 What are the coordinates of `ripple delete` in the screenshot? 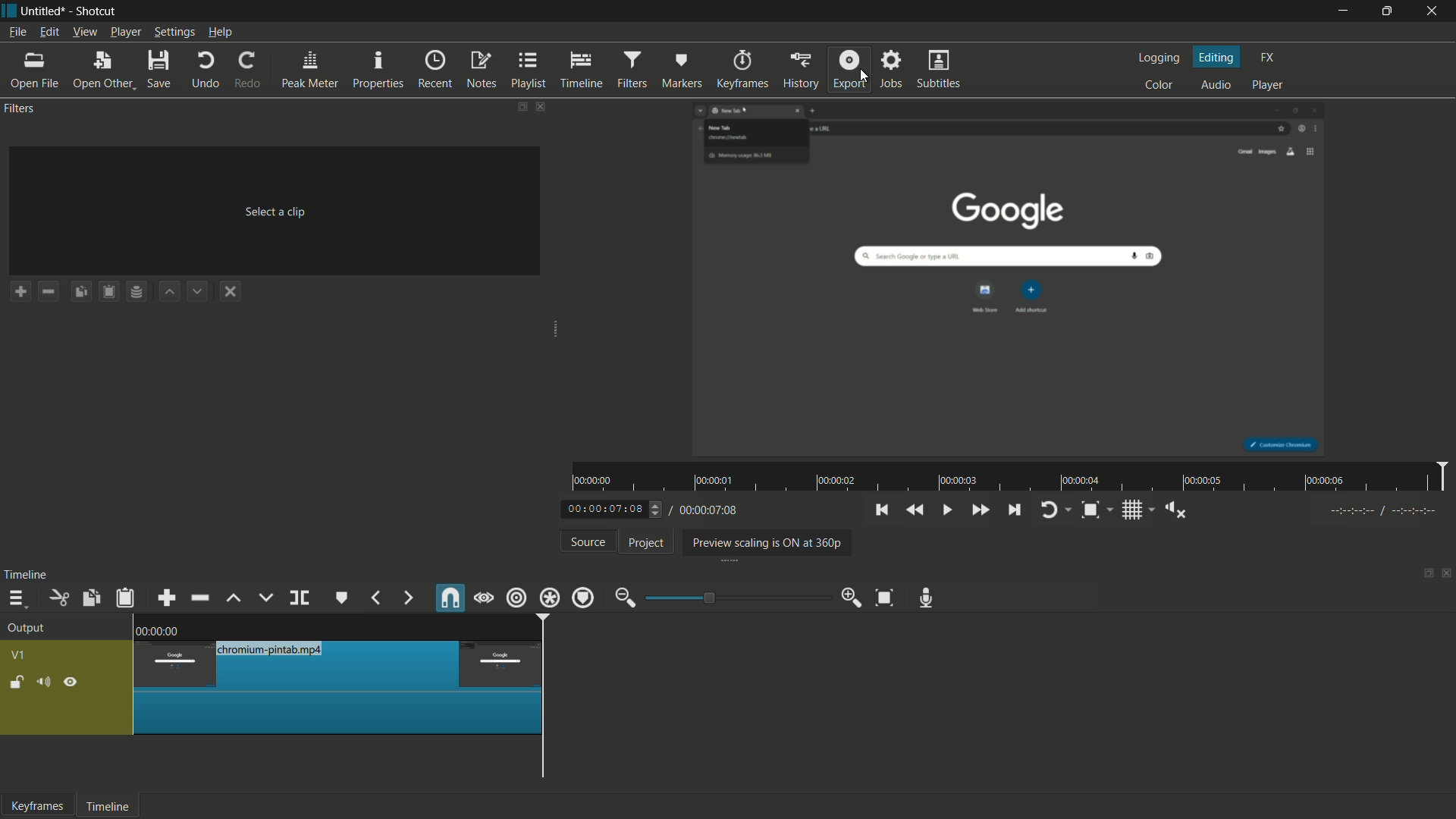 It's located at (202, 598).